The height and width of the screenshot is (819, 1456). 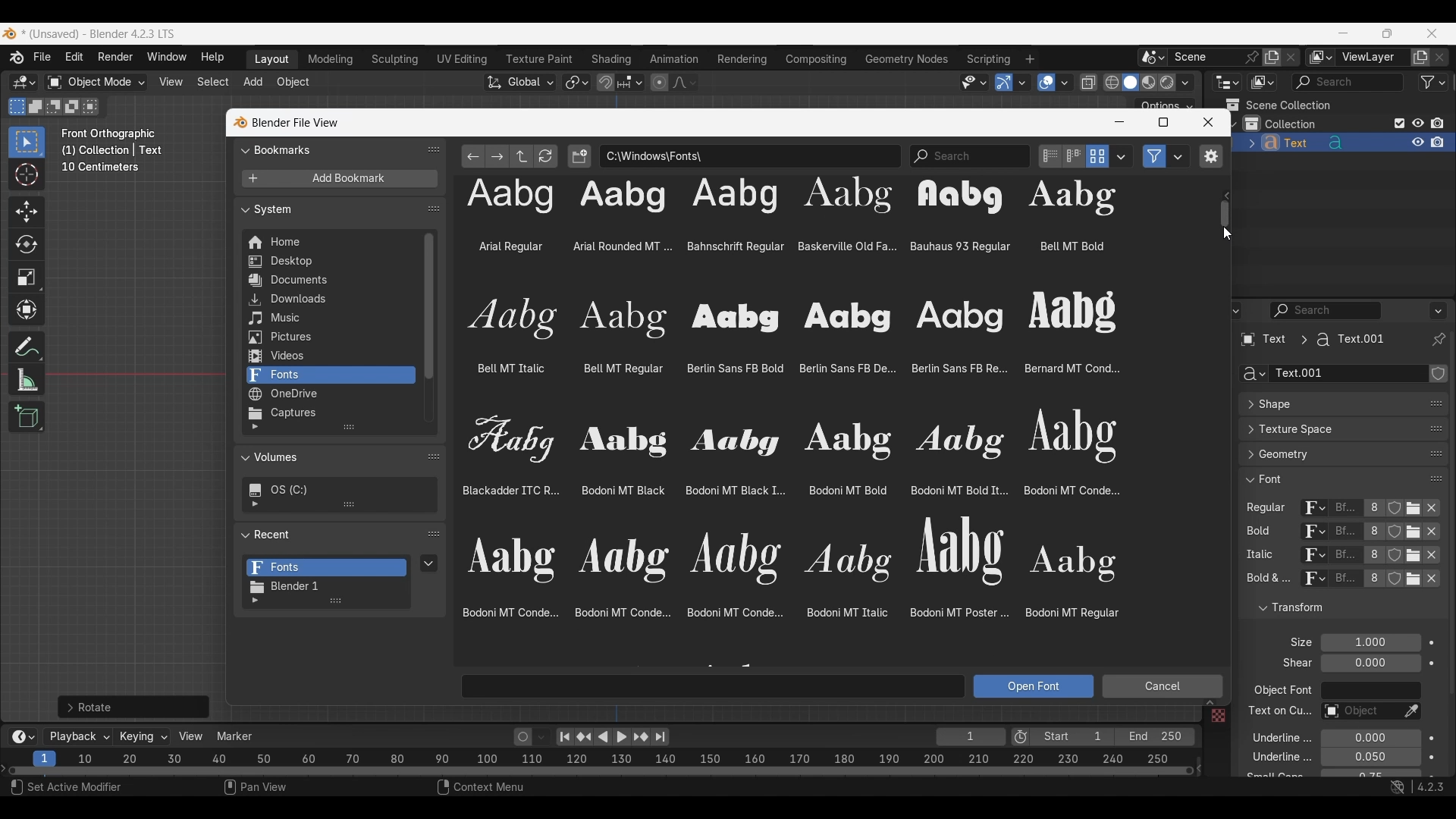 What do you see at coordinates (546, 156) in the screenshot?
I see `Refresh file list` at bounding box center [546, 156].